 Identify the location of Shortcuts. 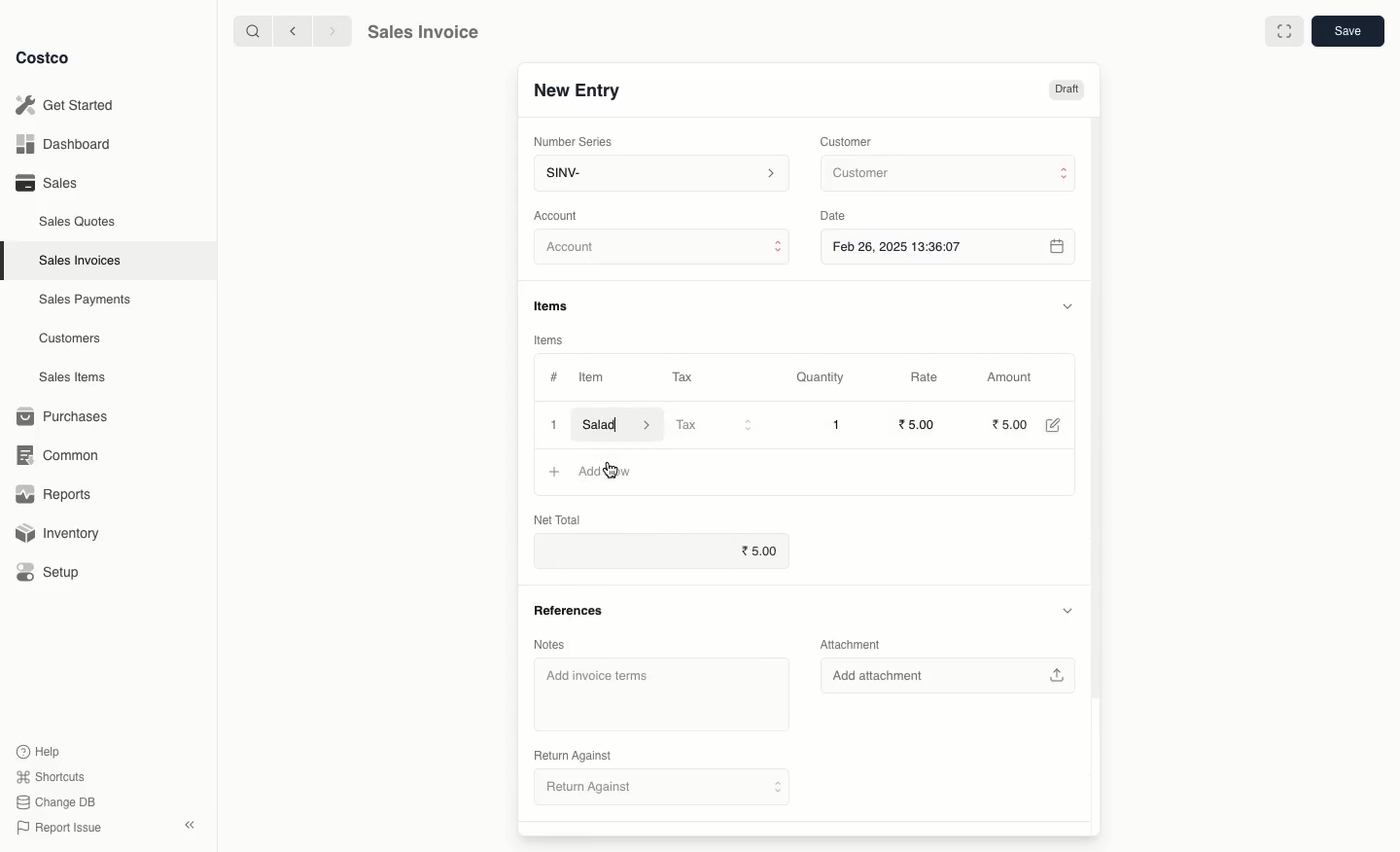
(50, 777).